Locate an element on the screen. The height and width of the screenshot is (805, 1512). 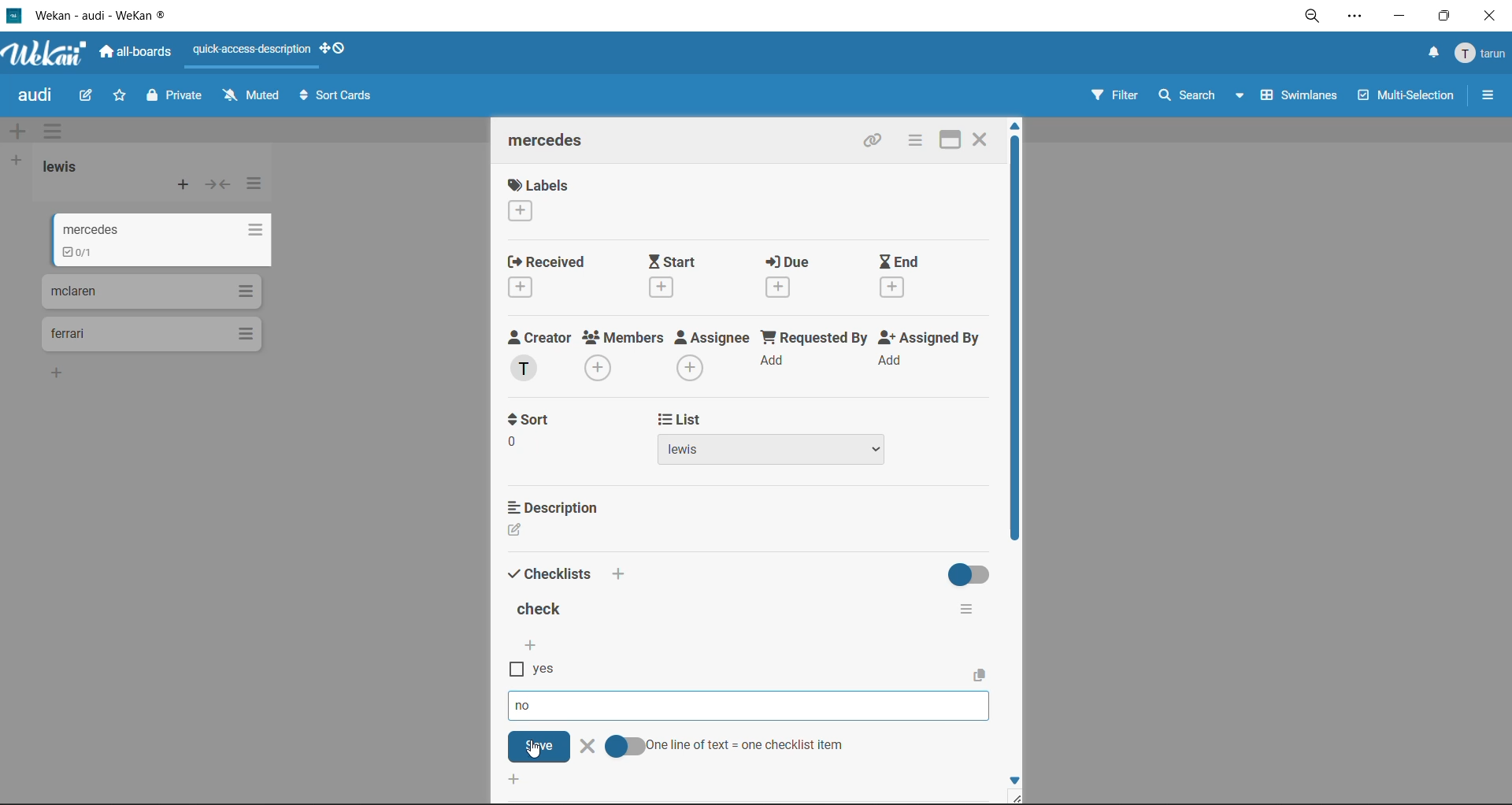
list title is located at coordinates (67, 167).